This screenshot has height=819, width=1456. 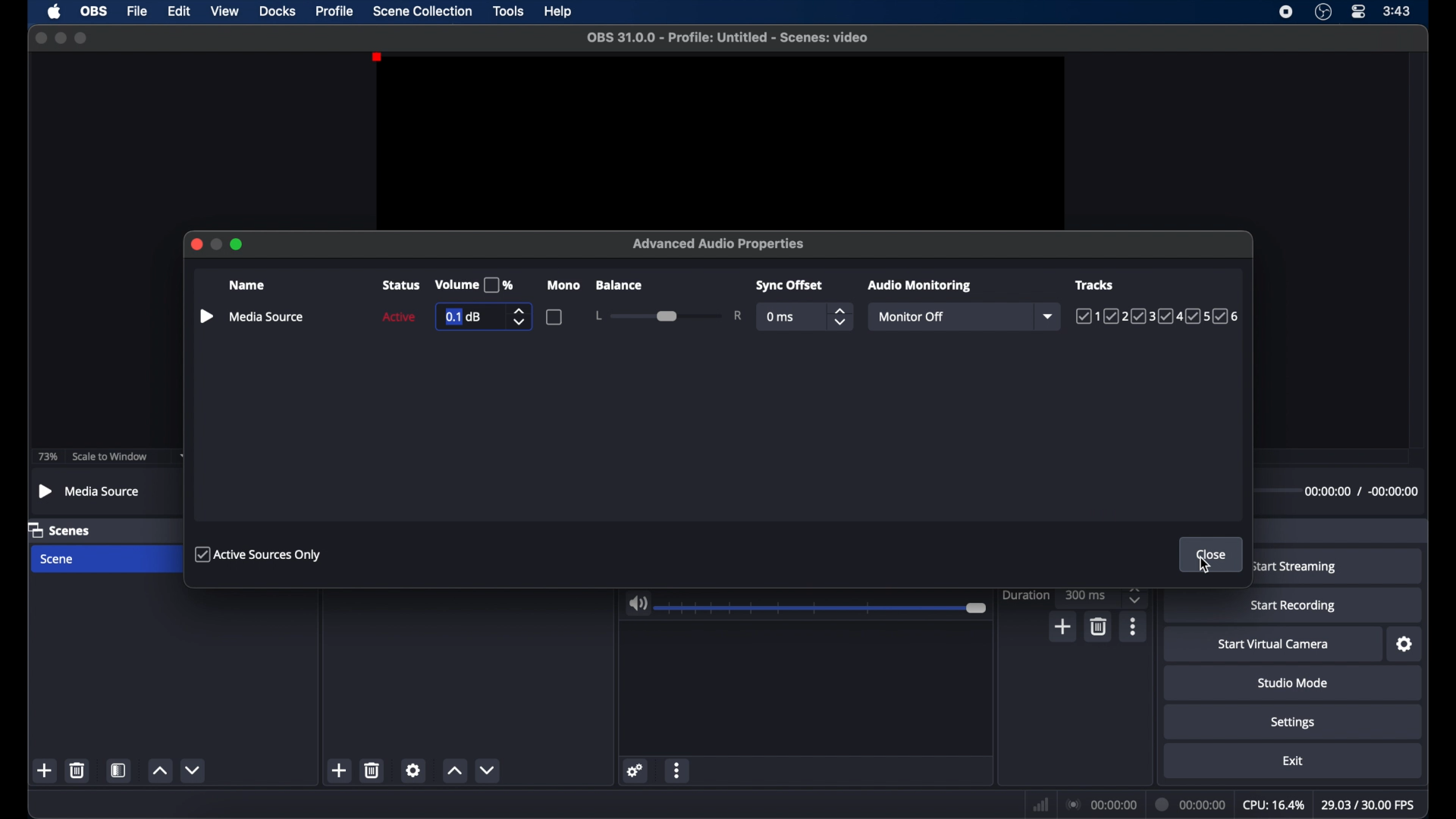 What do you see at coordinates (185, 457) in the screenshot?
I see `dropdown` at bounding box center [185, 457].